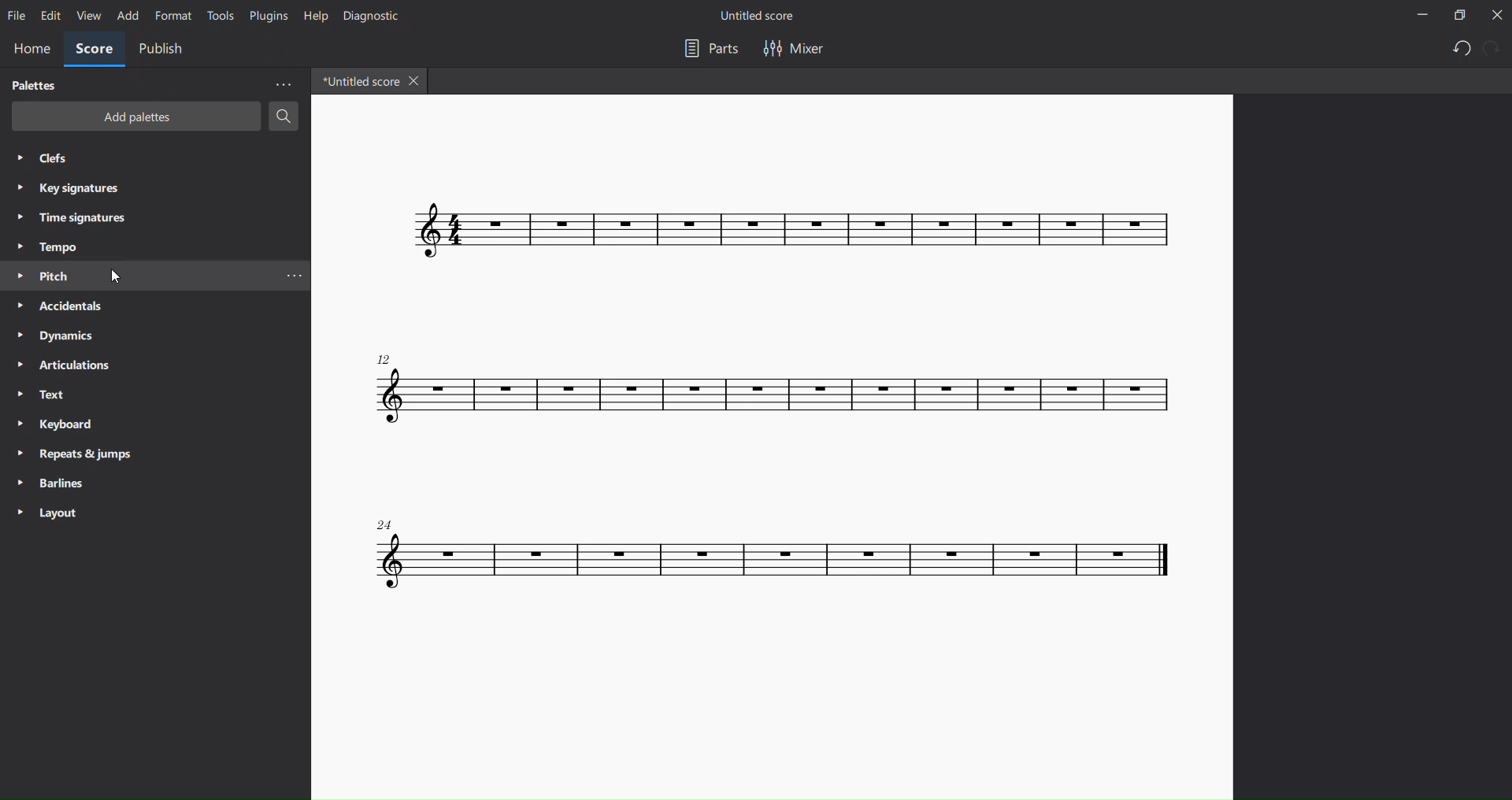  I want to click on close, so click(1495, 14).